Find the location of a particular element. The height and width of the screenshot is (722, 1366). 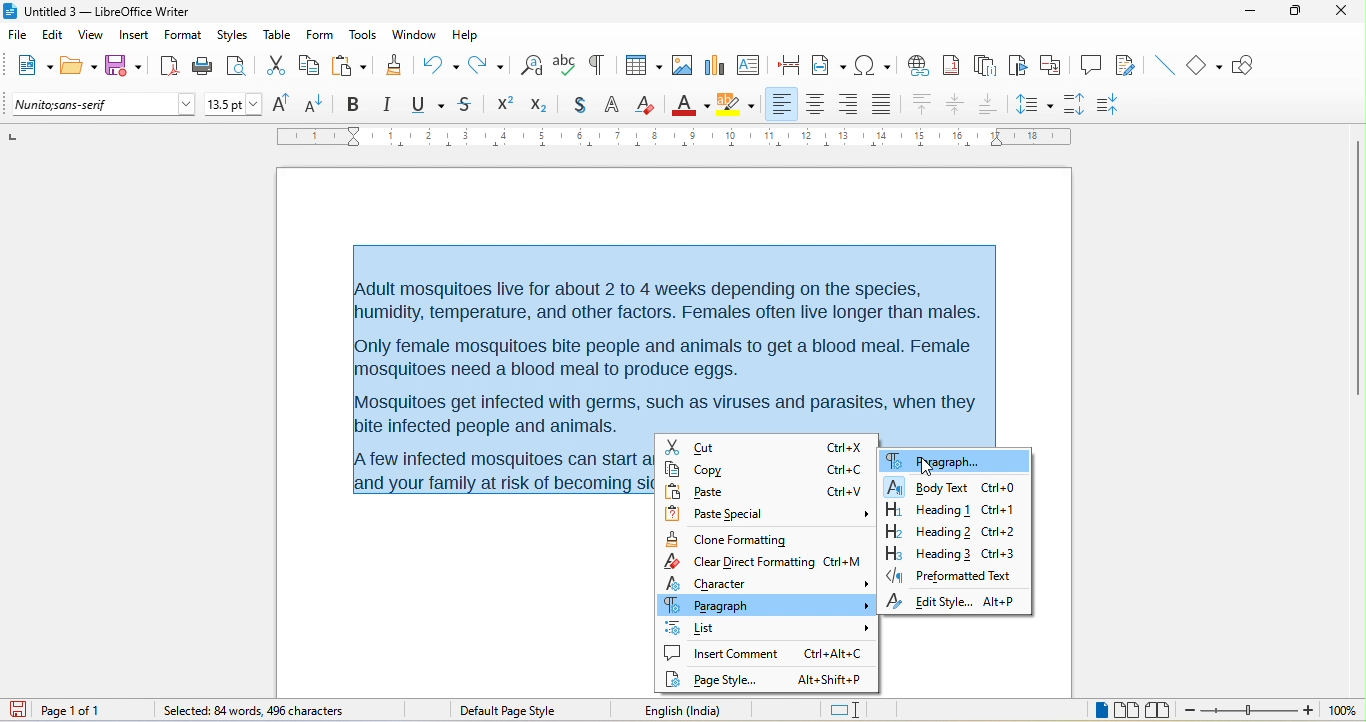

shortcut key is located at coordinates (846, 491).